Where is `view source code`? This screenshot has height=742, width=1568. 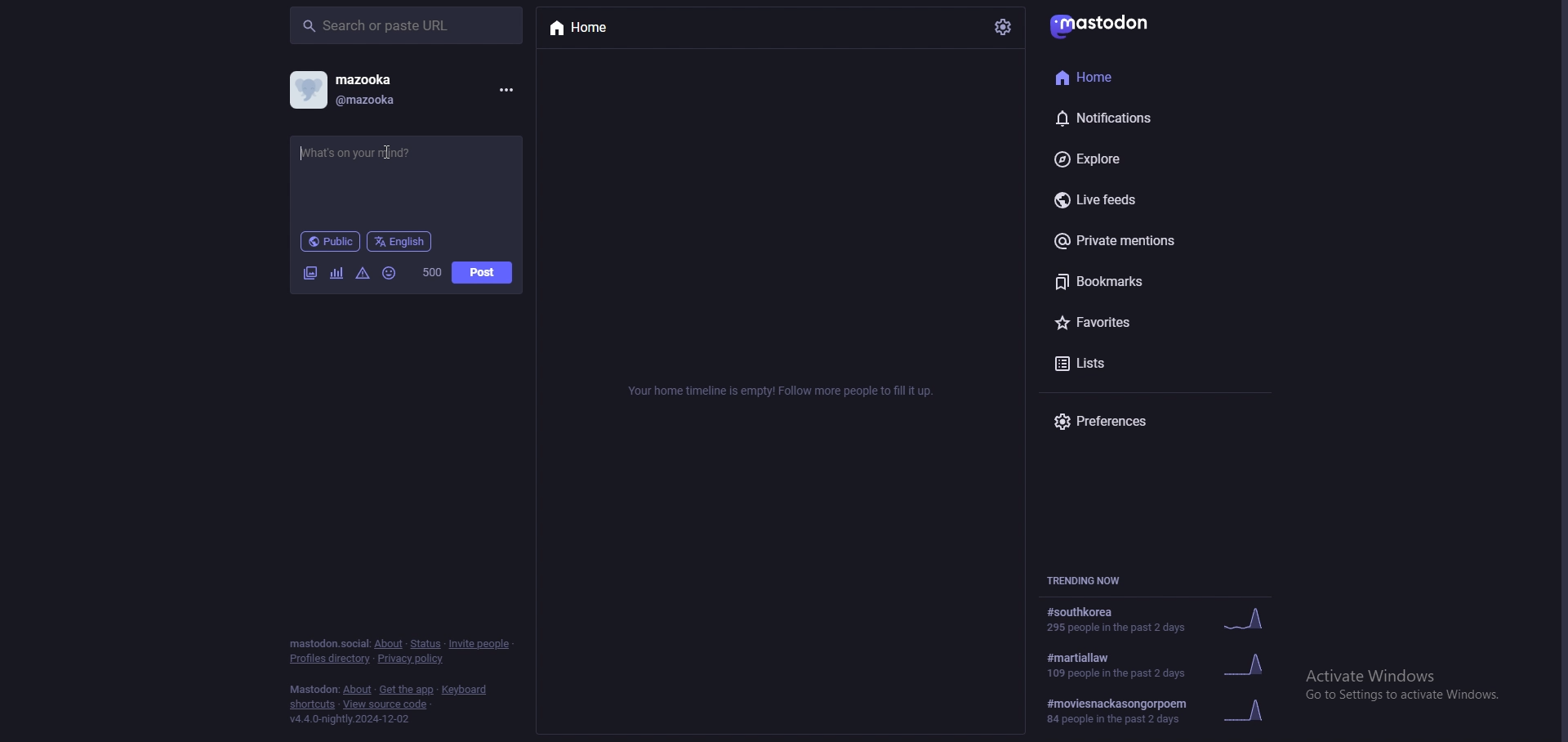
view source code is located at coordinates (386, 704).